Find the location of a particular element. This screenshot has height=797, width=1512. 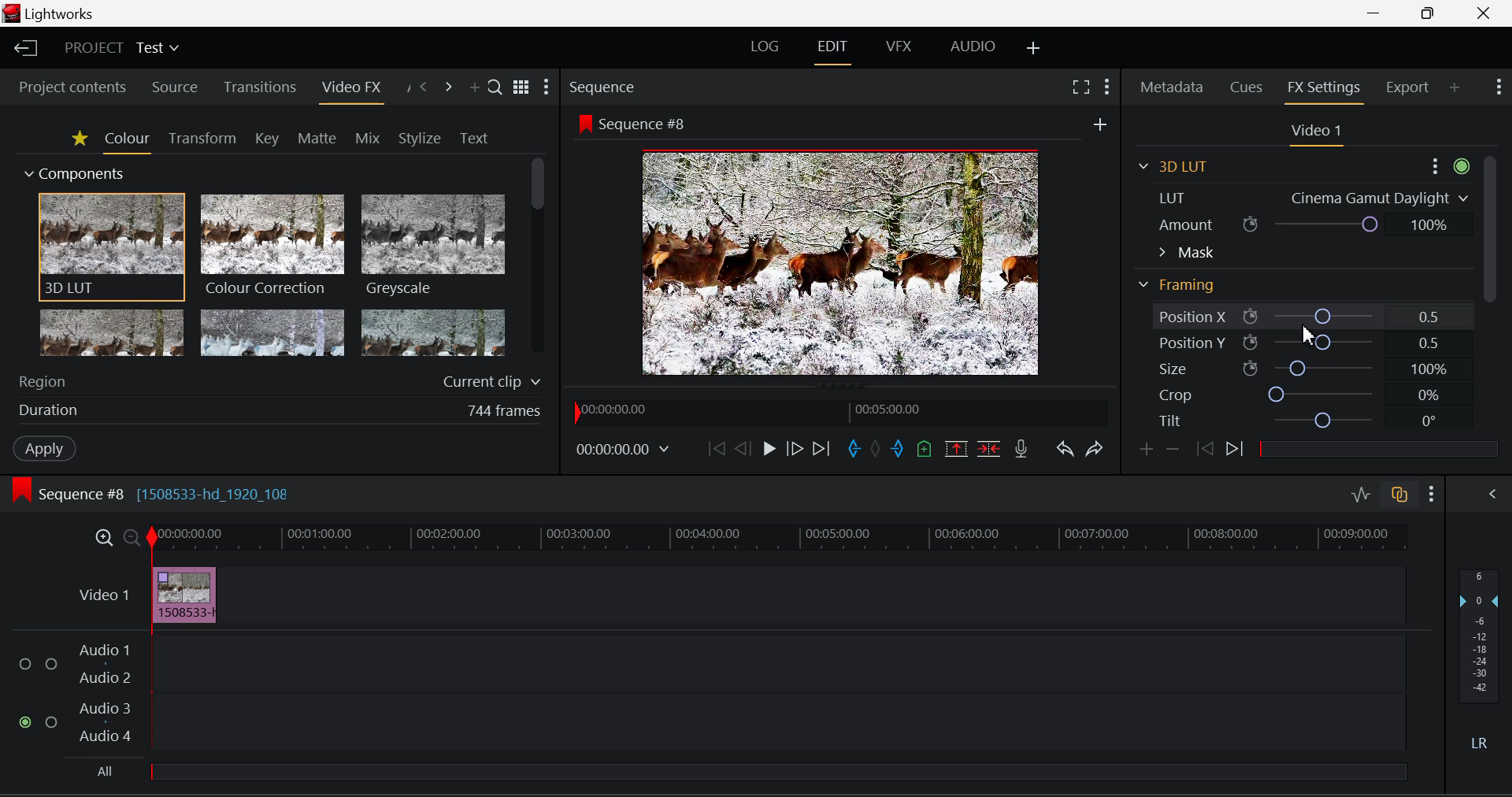

Add keyframe is located at coordinates (1145, 451).